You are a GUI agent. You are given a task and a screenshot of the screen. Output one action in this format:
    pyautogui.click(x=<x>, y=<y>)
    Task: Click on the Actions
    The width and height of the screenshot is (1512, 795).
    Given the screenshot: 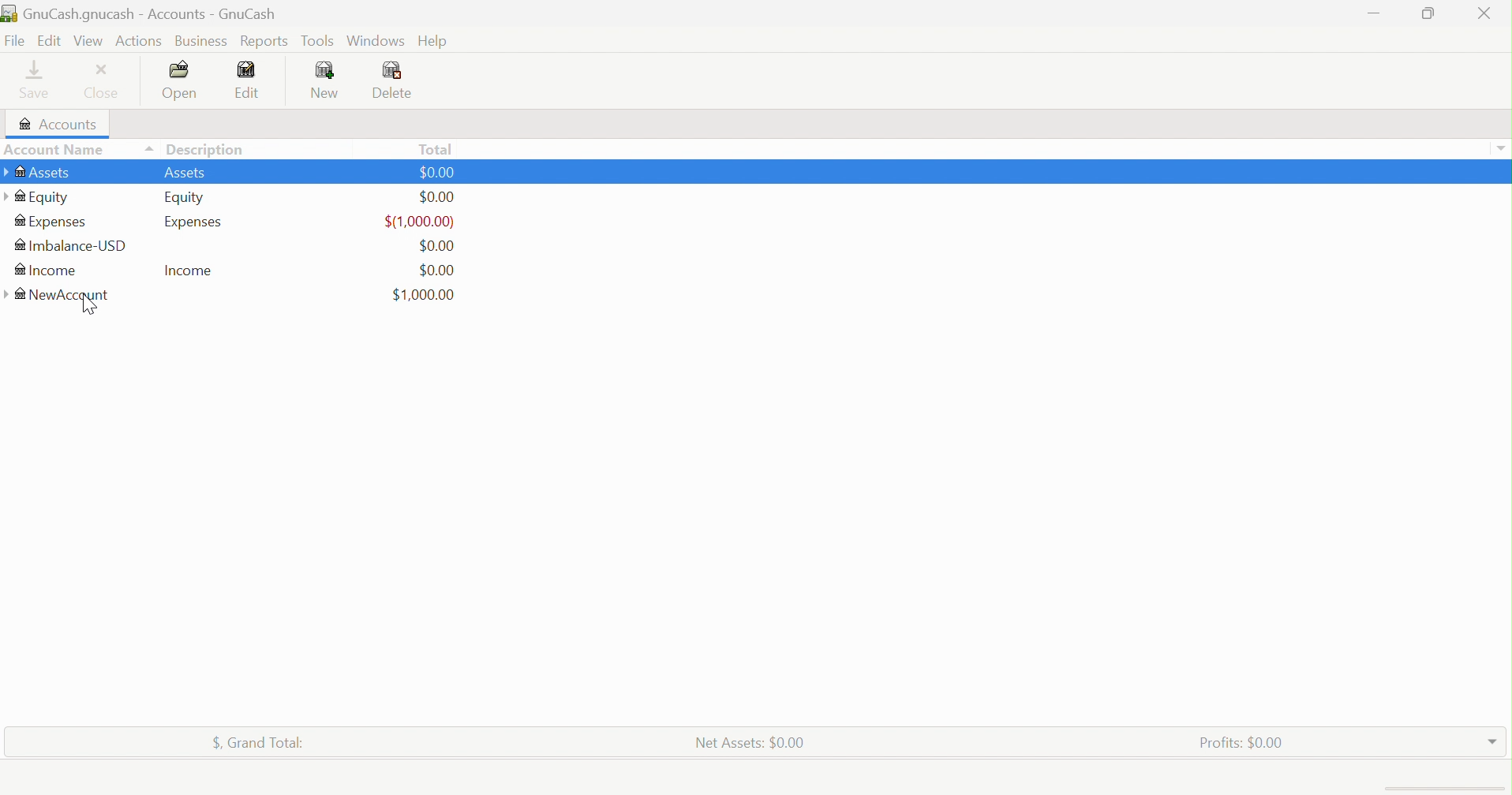 What is the action you would take?
    pyautogui.click(x=141, y=42)
    